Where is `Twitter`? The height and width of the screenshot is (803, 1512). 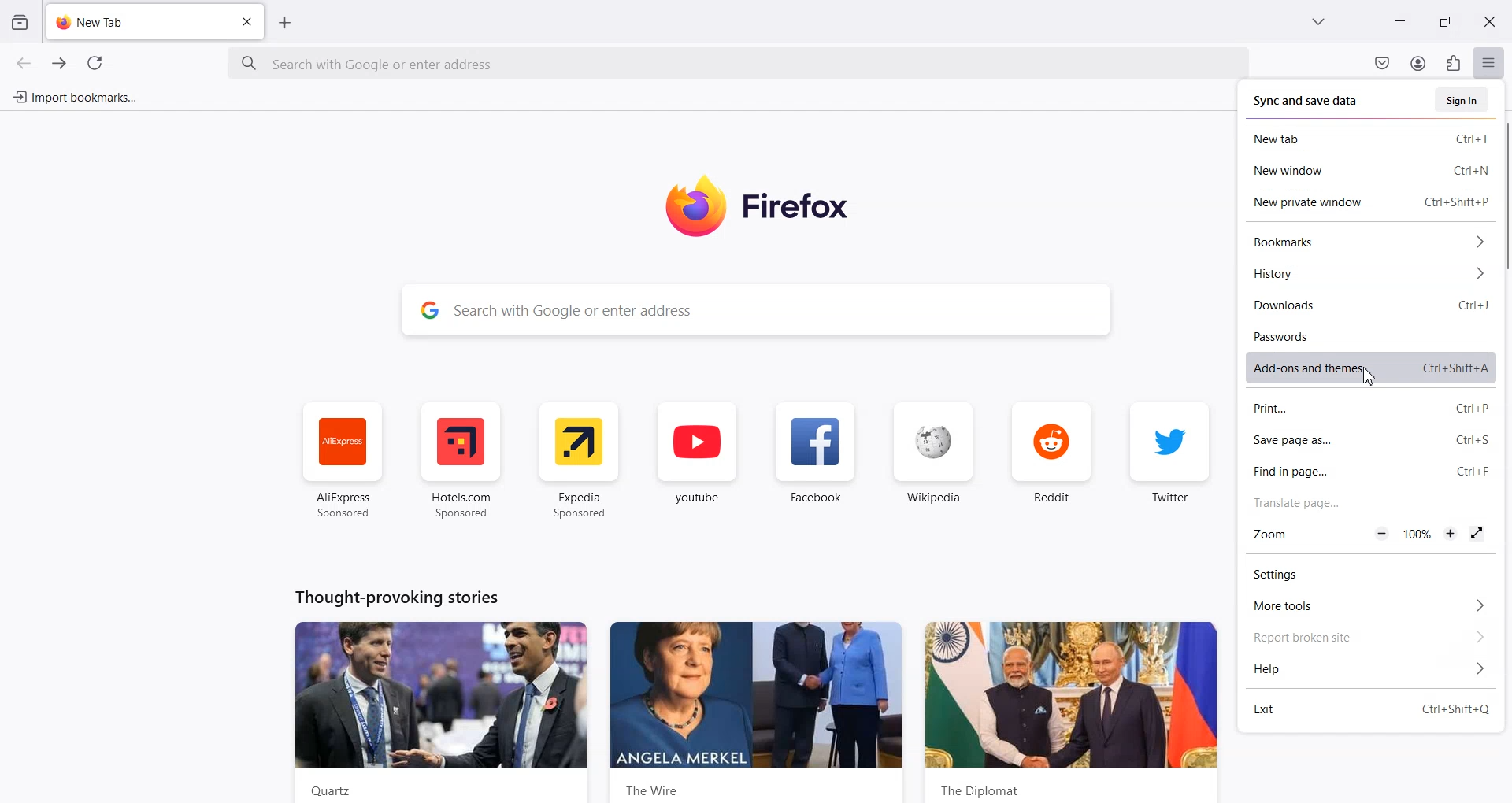
Twitter is located at coordinates (1170, 457).